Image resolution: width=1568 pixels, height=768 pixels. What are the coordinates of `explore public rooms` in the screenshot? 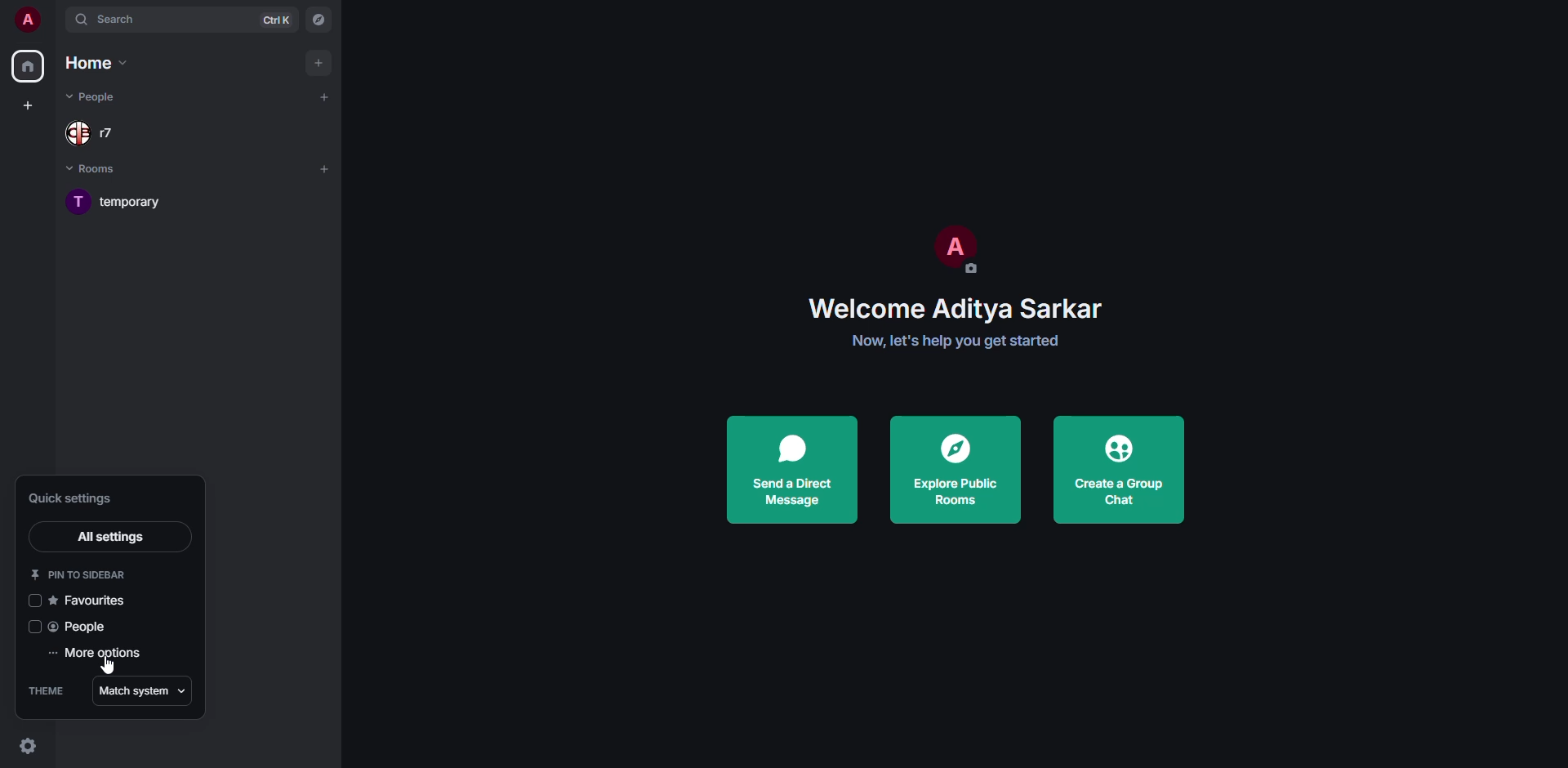 It's located at (957, 469).